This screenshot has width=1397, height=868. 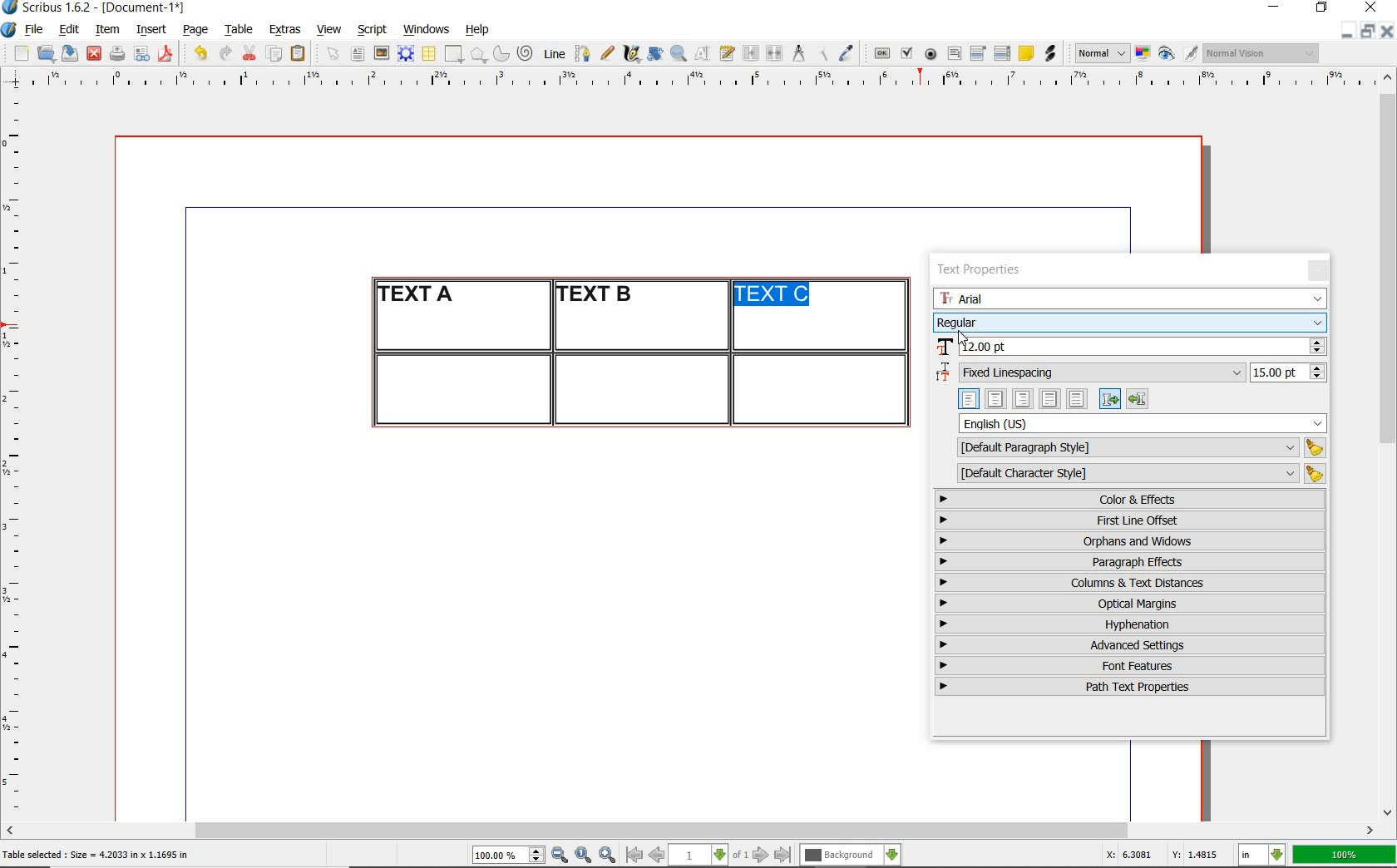 What do you see at coordinates (526, 53) in the screenshot?
I see `spiral` at bounding box center [526, 53].